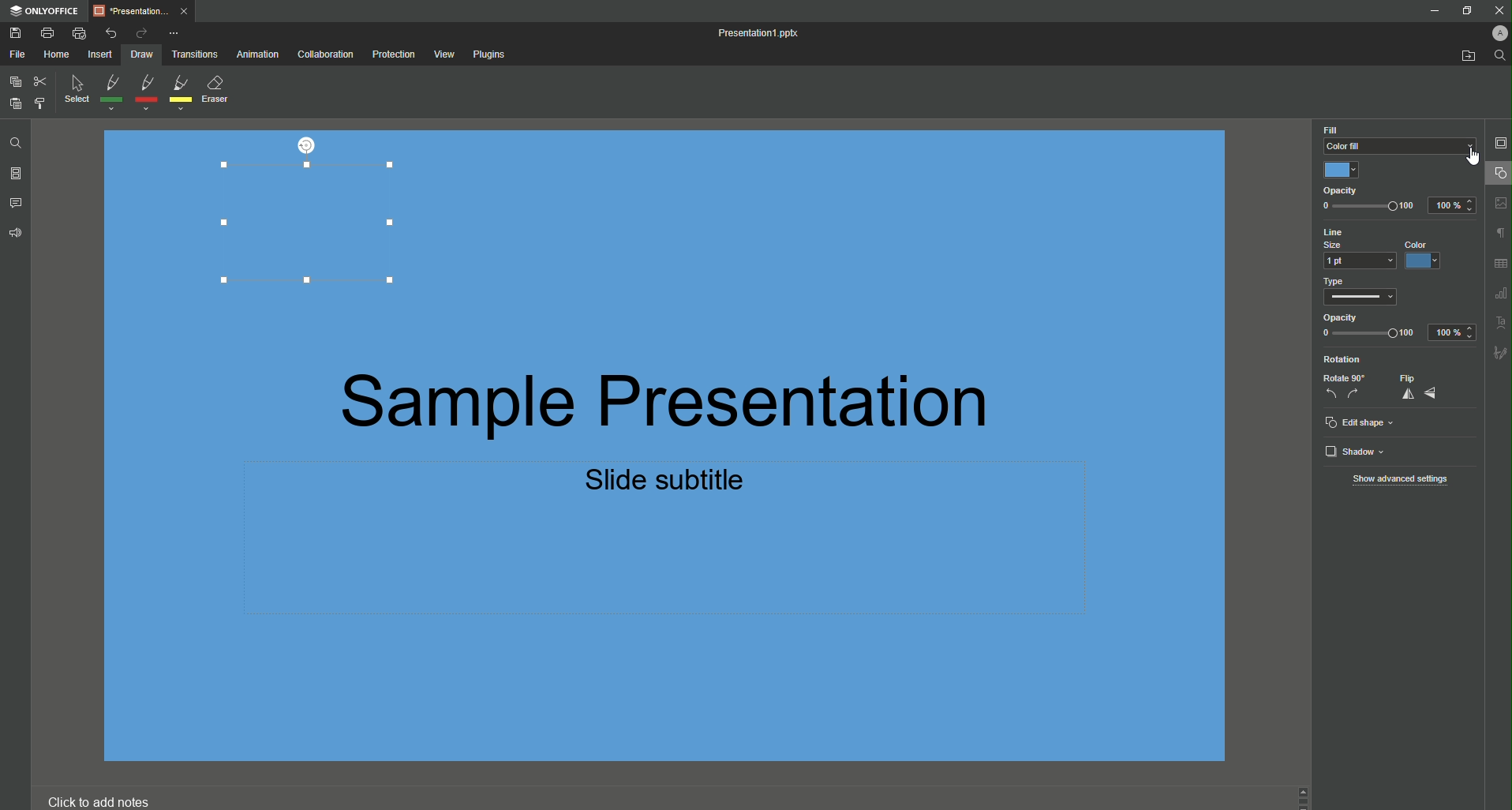 Image resolution: width=1512 pixels, height=810 pixels. Describe the element at coordinates (1343, 170) in the screenshot. I see `Blue` at that location.